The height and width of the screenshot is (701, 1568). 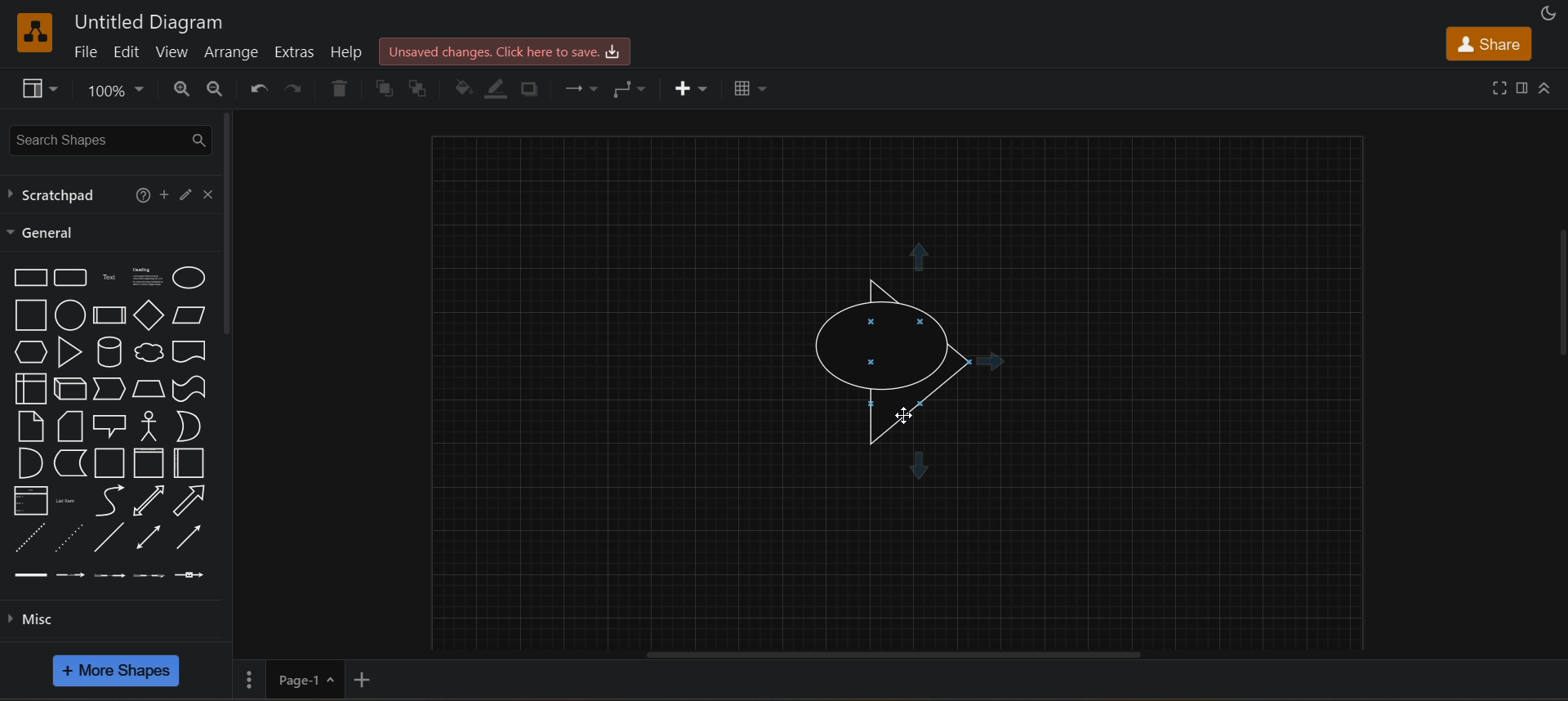 I want to click on view, so click(x=171, y=52).